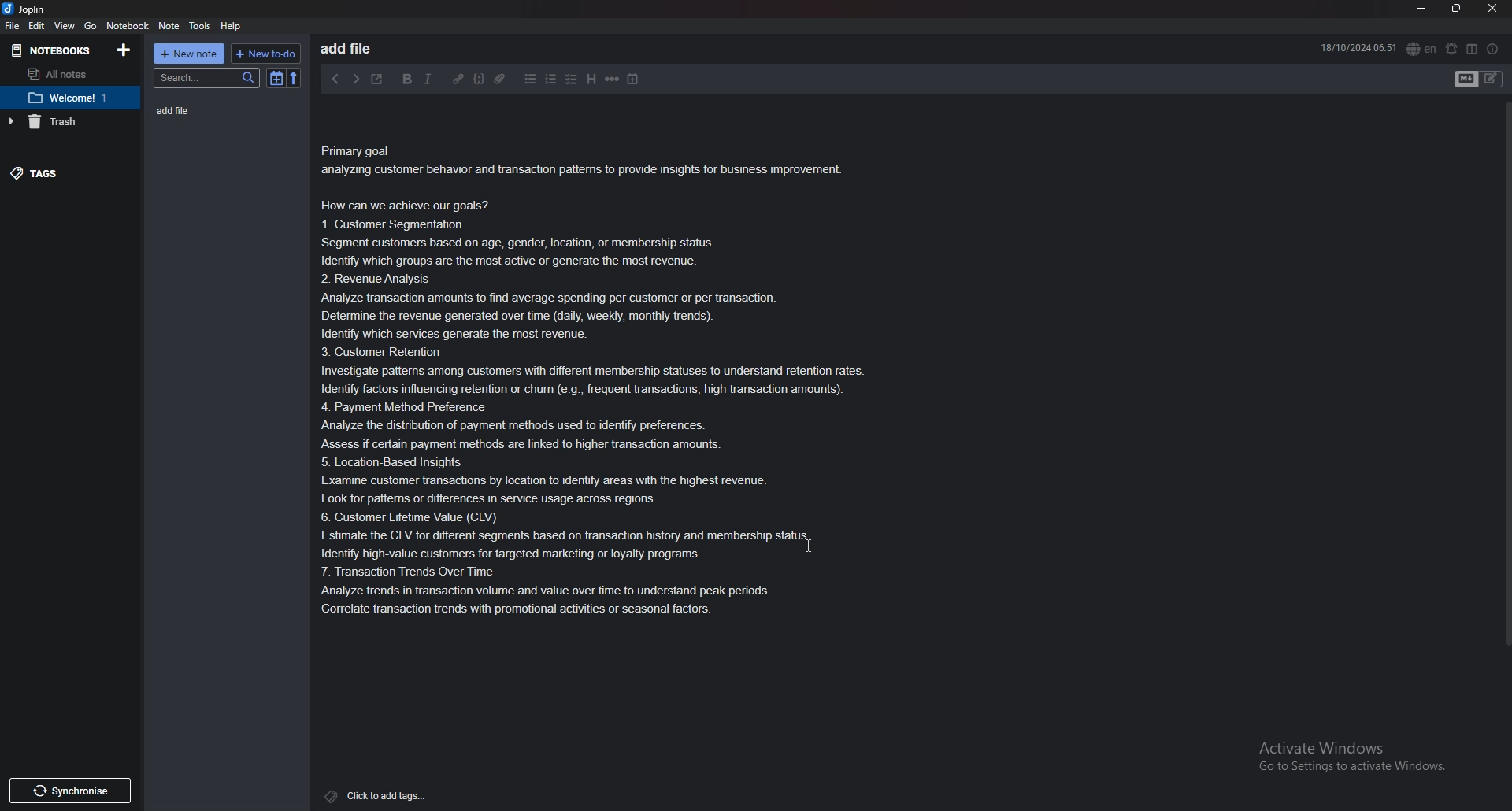  Describe the element at coordinates (297, 77) in the screenshot. I see `Reverse sort order` at that location.